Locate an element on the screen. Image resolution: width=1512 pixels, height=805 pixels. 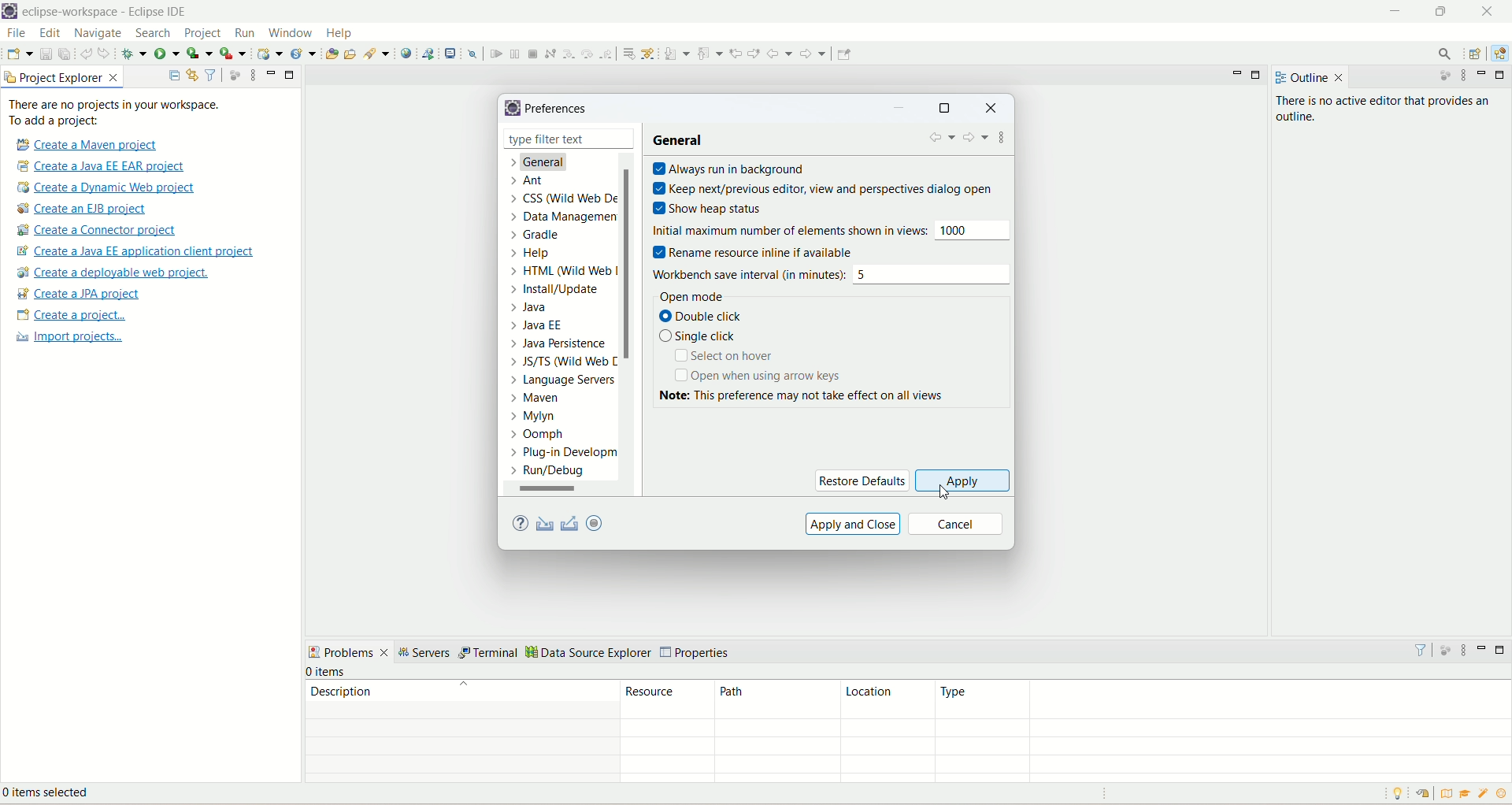
access commands and other items is located at coordinates (1443, 54).